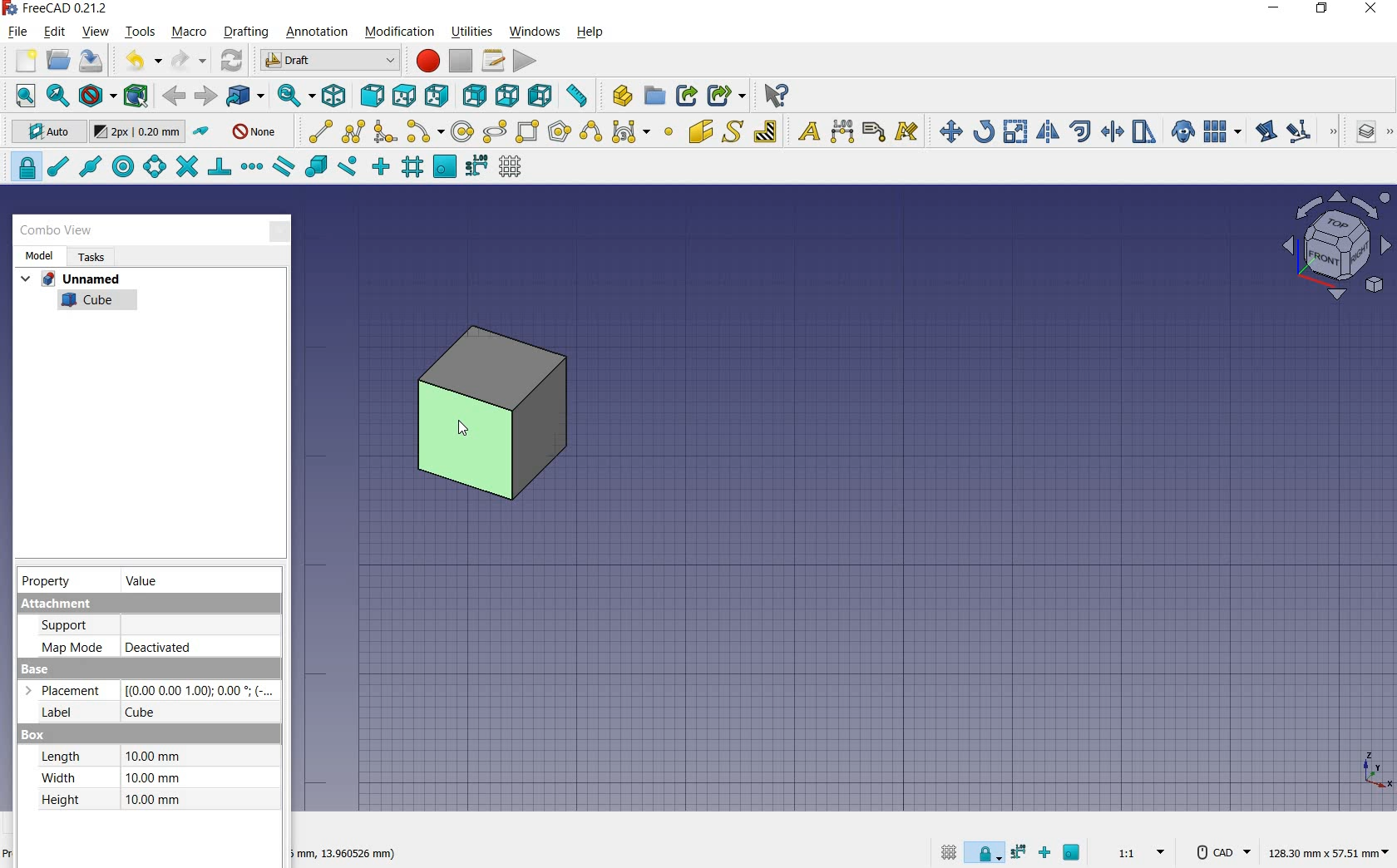  What do you see at coordinates (530, 131) in the screenshot?
I see `rectangle` at bounding box center [530, 131].